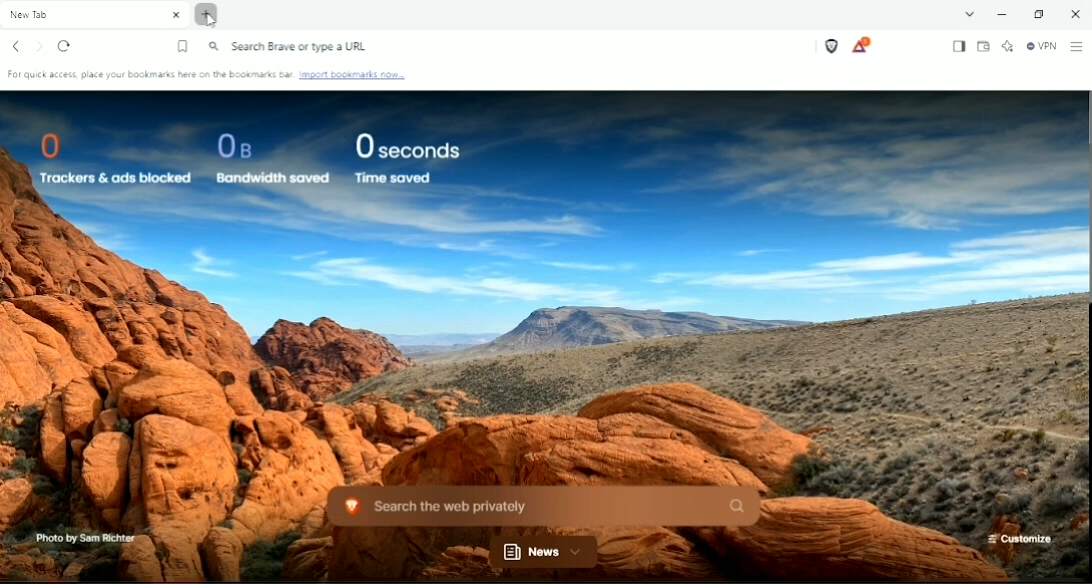  I want to click on New Tab, so click(210, 17).